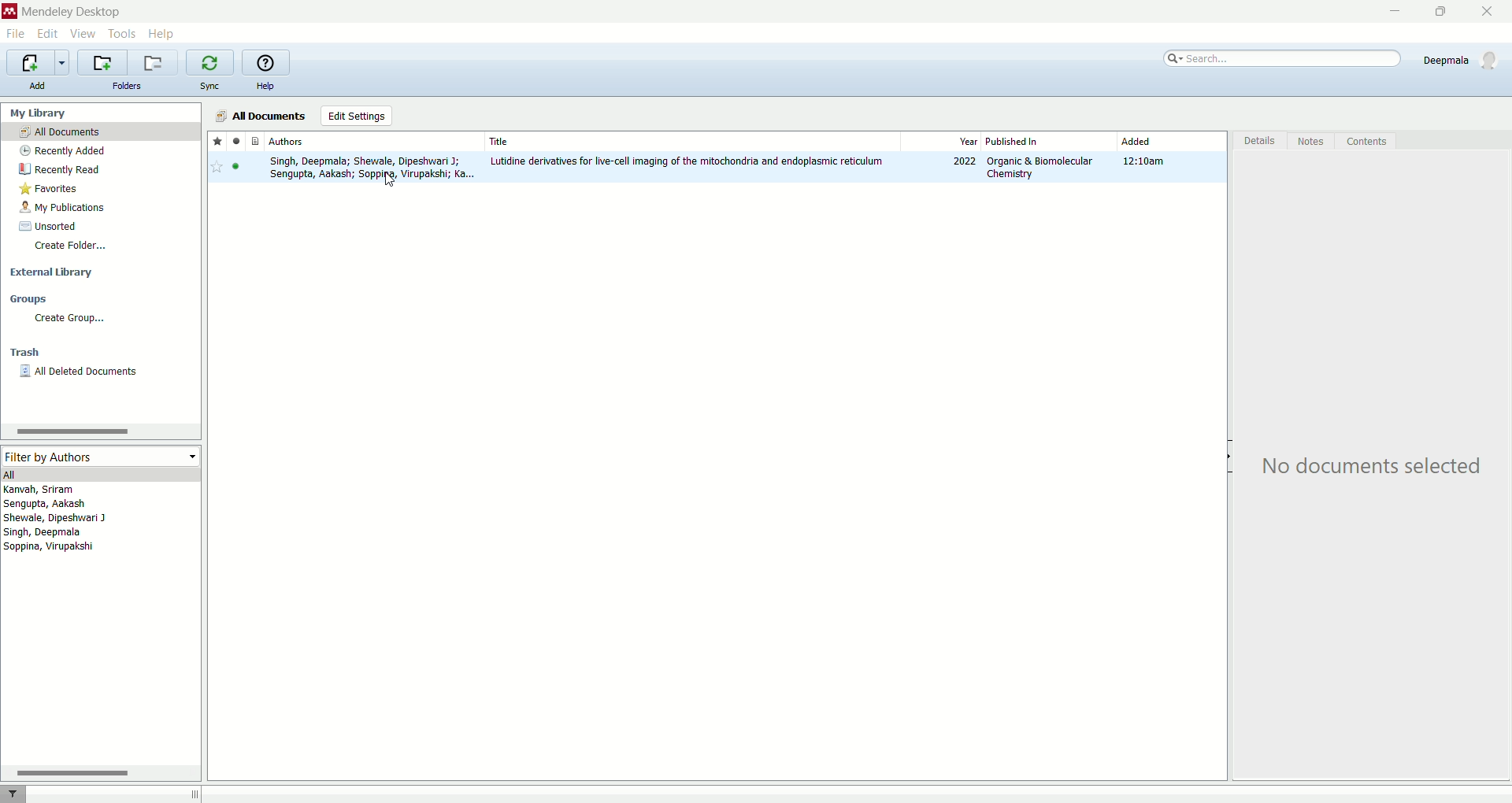 Image resolution: width=1512 pixels, height=803 pixels. I want to click on search, so click(1284, 56).